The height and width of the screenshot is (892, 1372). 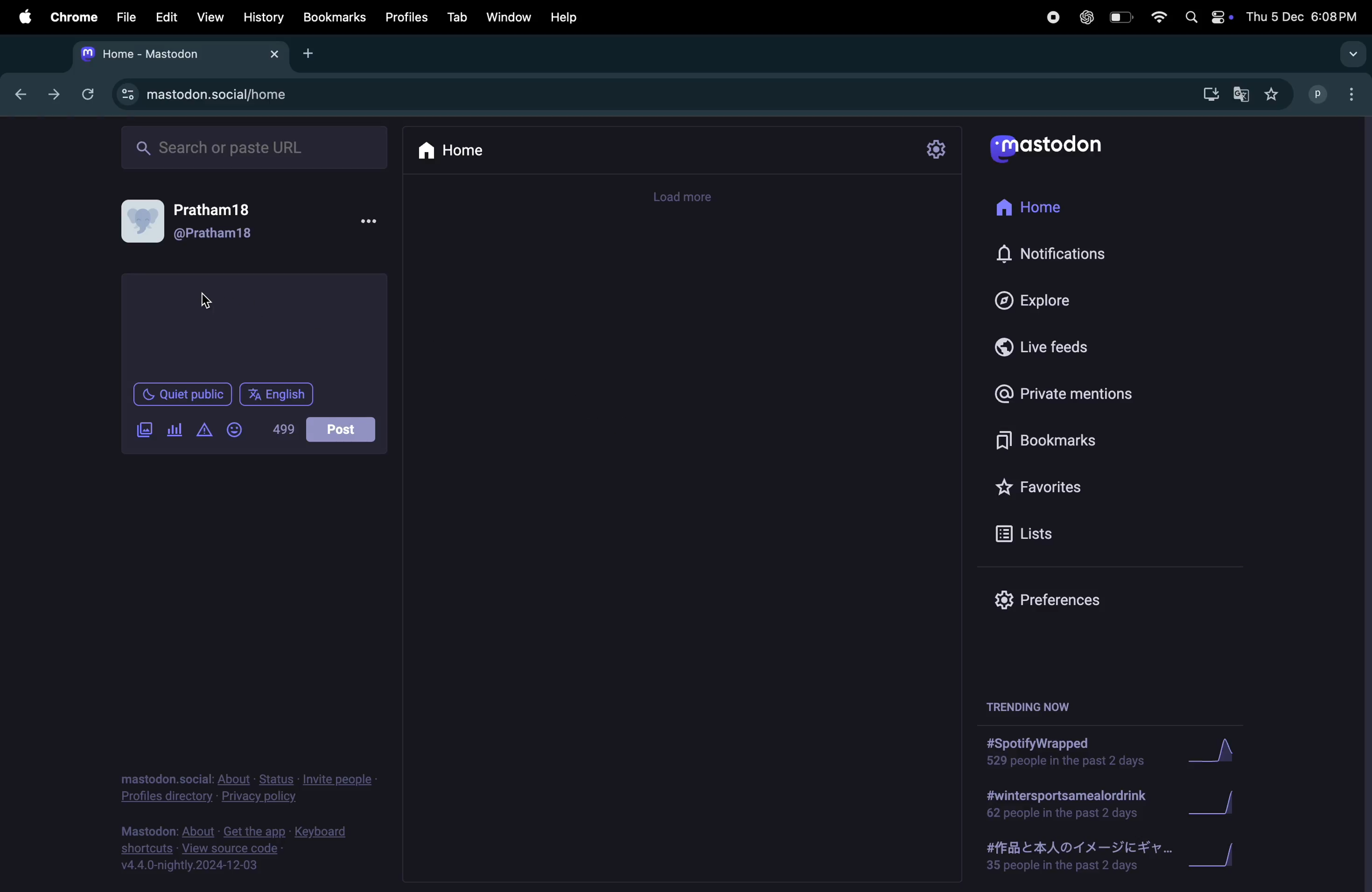 What do you see at coordinates (372, 221) in the screenshot?
I see `options` at bounding box center [372, 221].